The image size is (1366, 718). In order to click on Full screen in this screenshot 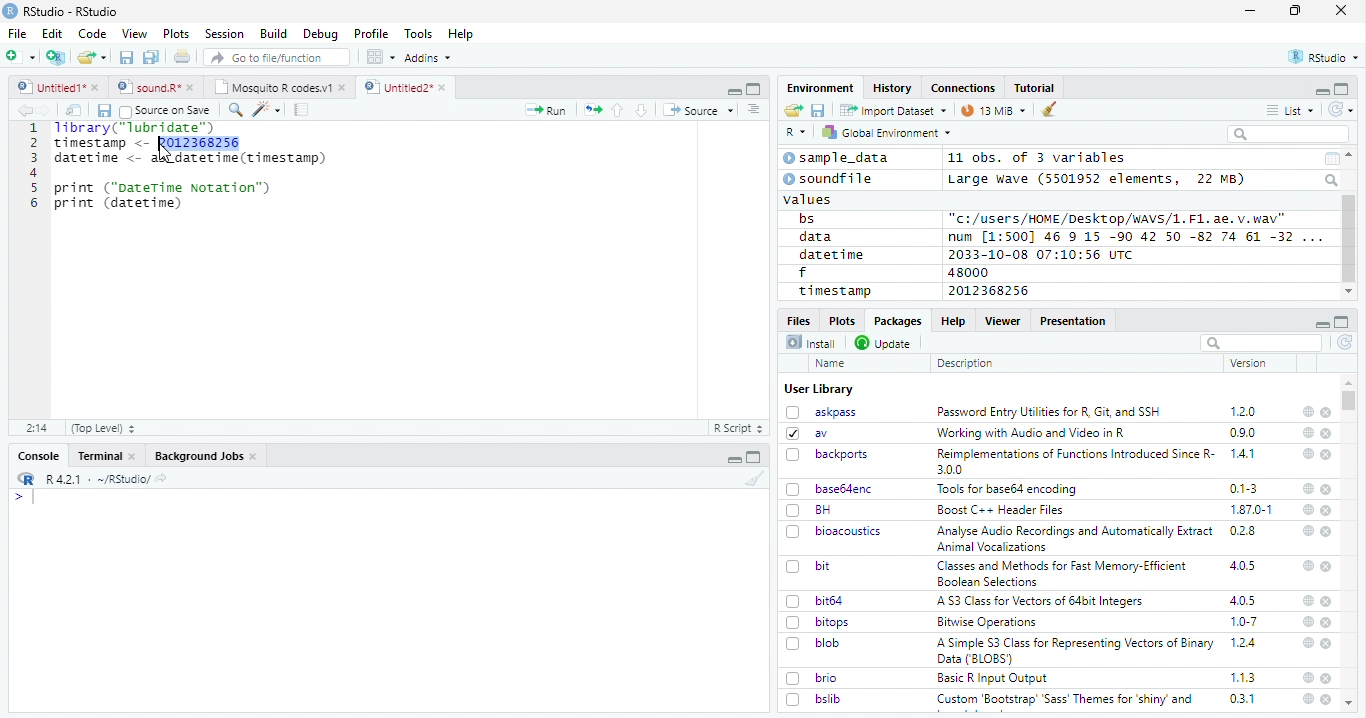, I will do `click(754, 457)`.